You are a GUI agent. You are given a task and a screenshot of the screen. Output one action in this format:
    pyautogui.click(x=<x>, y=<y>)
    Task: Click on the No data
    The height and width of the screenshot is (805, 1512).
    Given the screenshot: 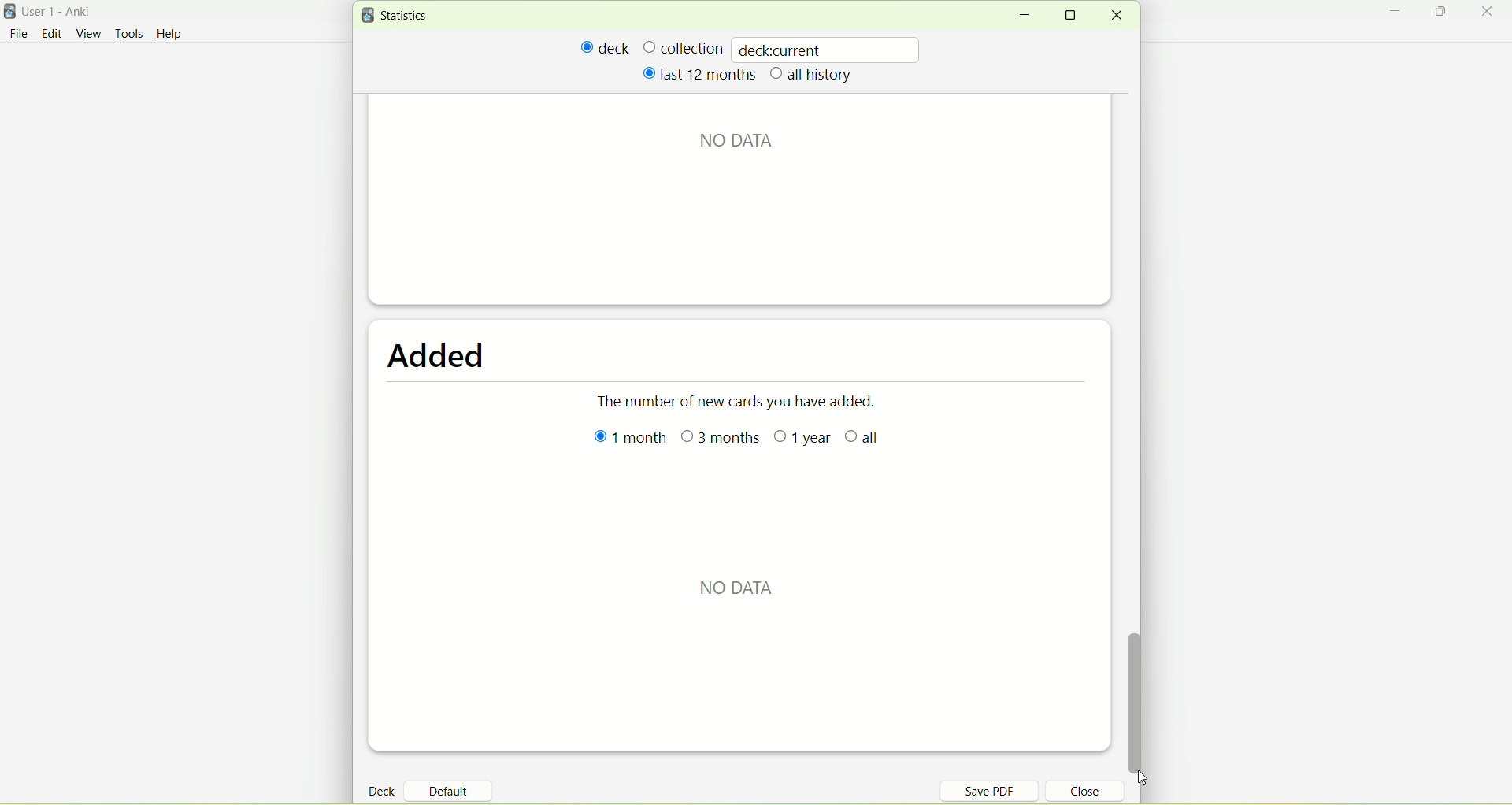 What is the action you would take?
    pyautogui.click(x=739, y=581)
    